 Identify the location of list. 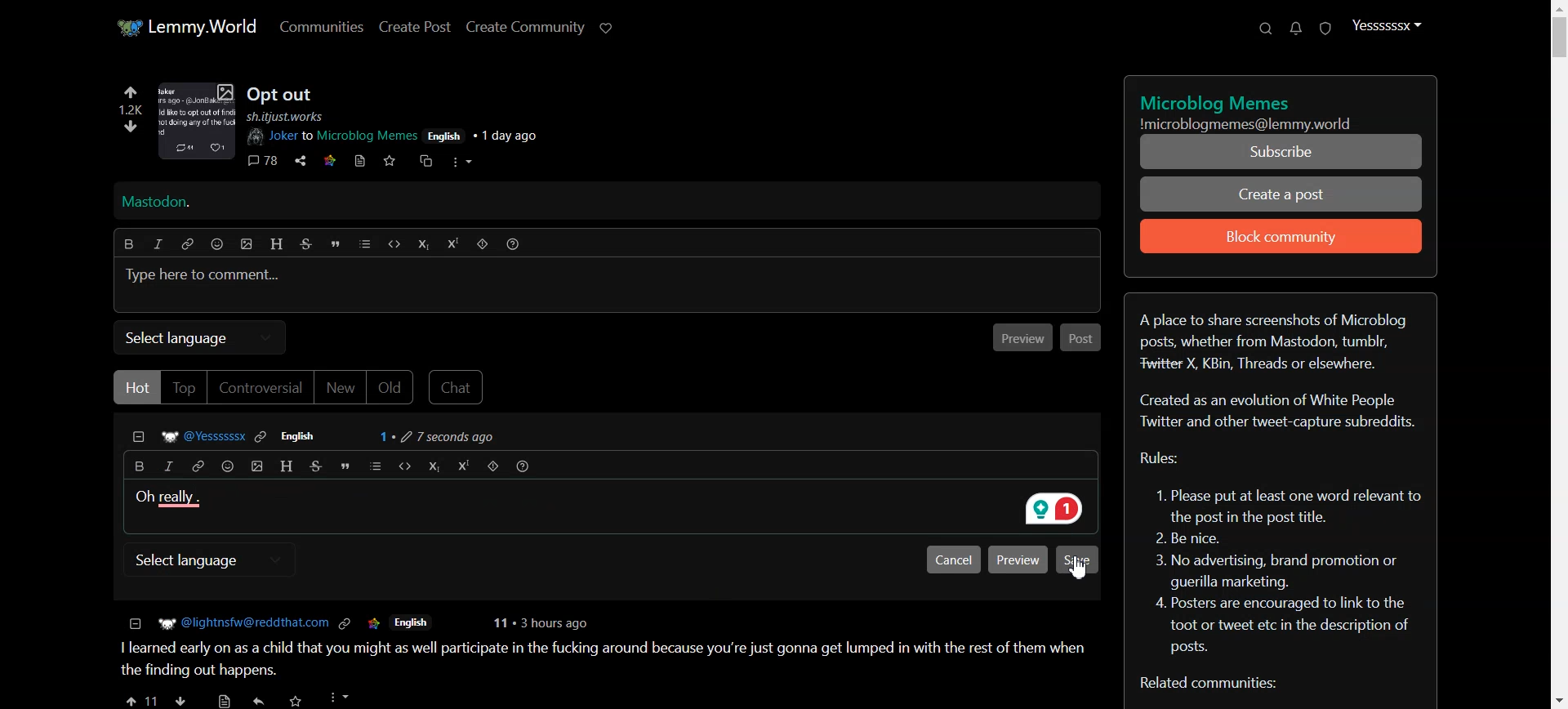
(365, 243).